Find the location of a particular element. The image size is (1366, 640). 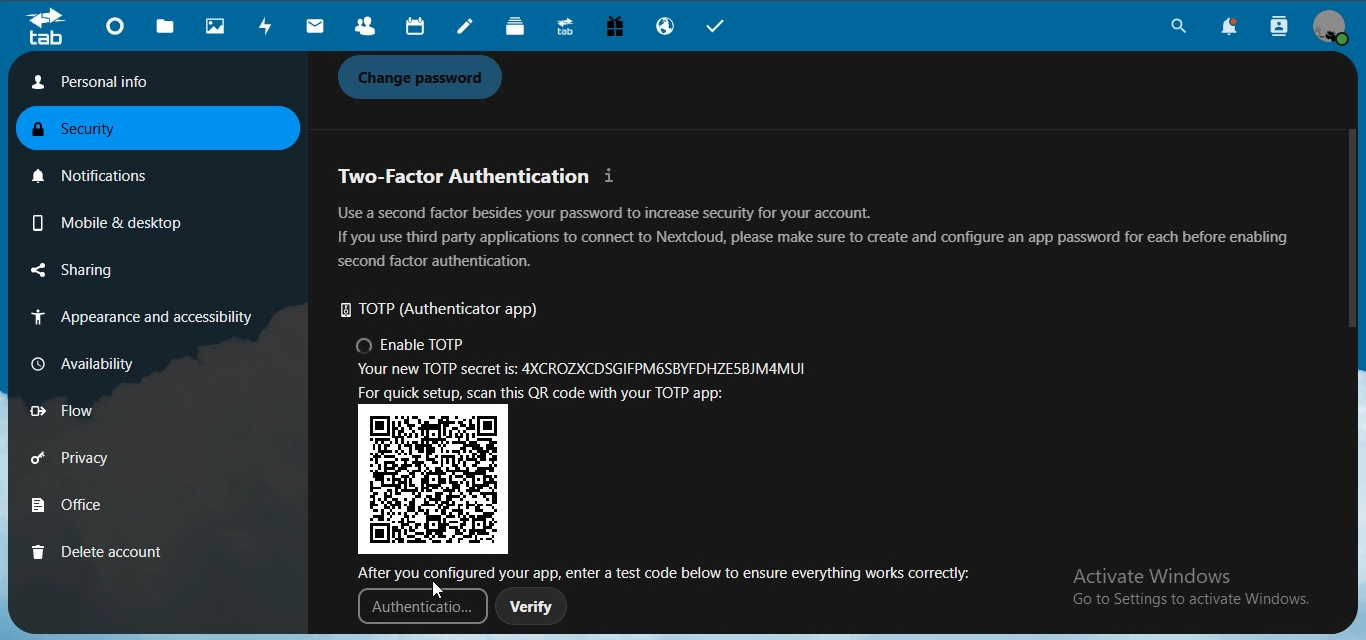

free trial is located at coordinates (617, 29).